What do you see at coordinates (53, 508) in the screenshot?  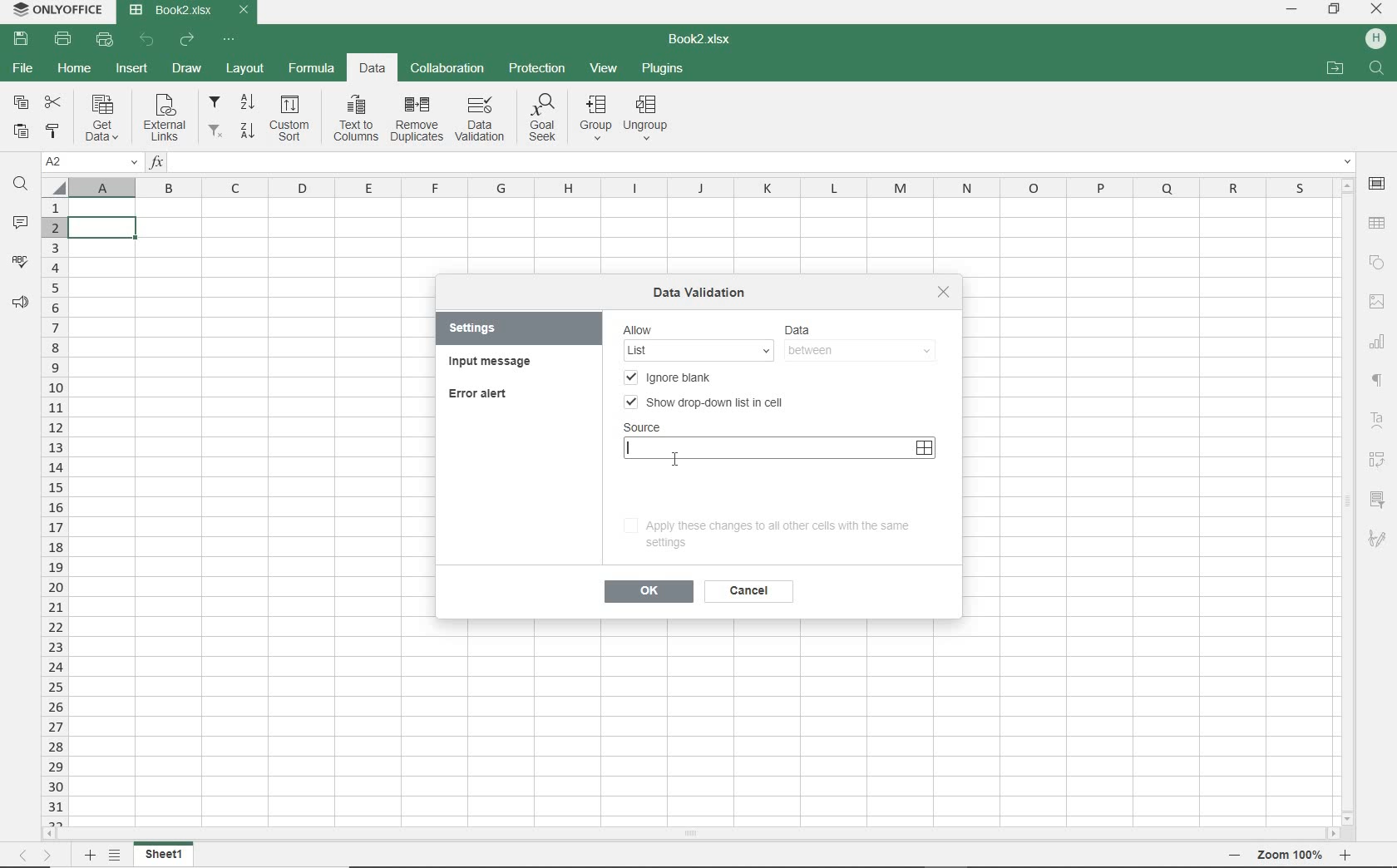 I see `ROWS` at bounding box center [53, 508].